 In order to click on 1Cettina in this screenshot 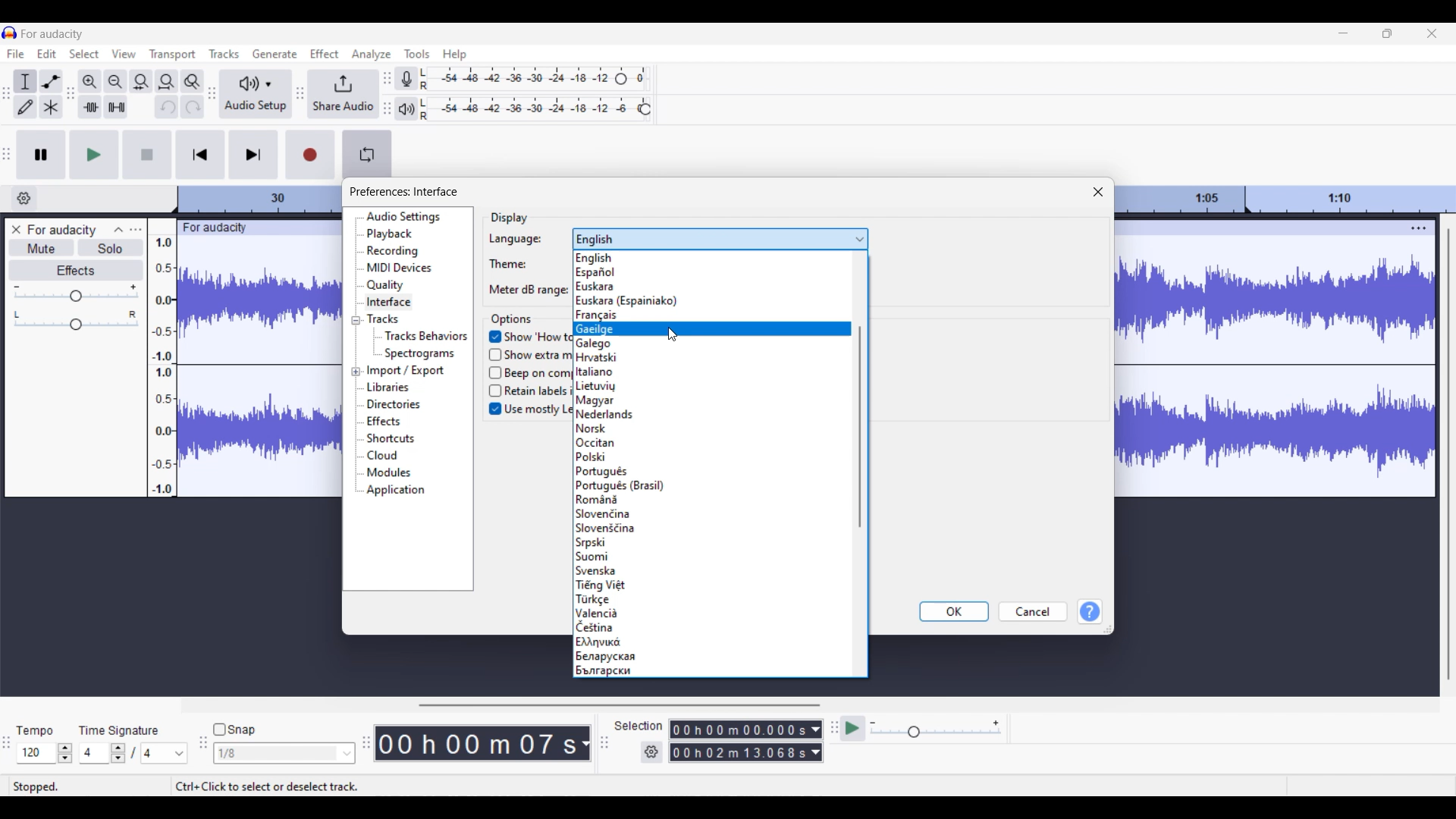, I will do `click(599, 626)`.